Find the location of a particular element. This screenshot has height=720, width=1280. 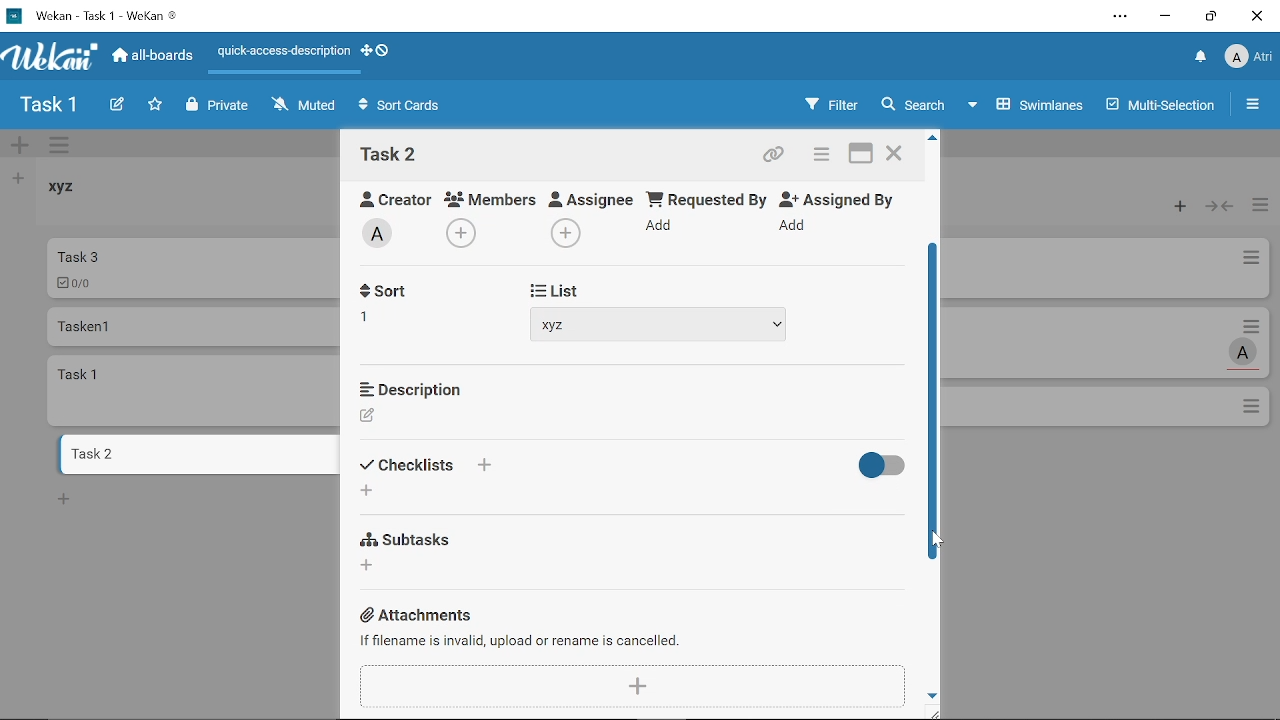

Car is located at coordinates (192, 267).